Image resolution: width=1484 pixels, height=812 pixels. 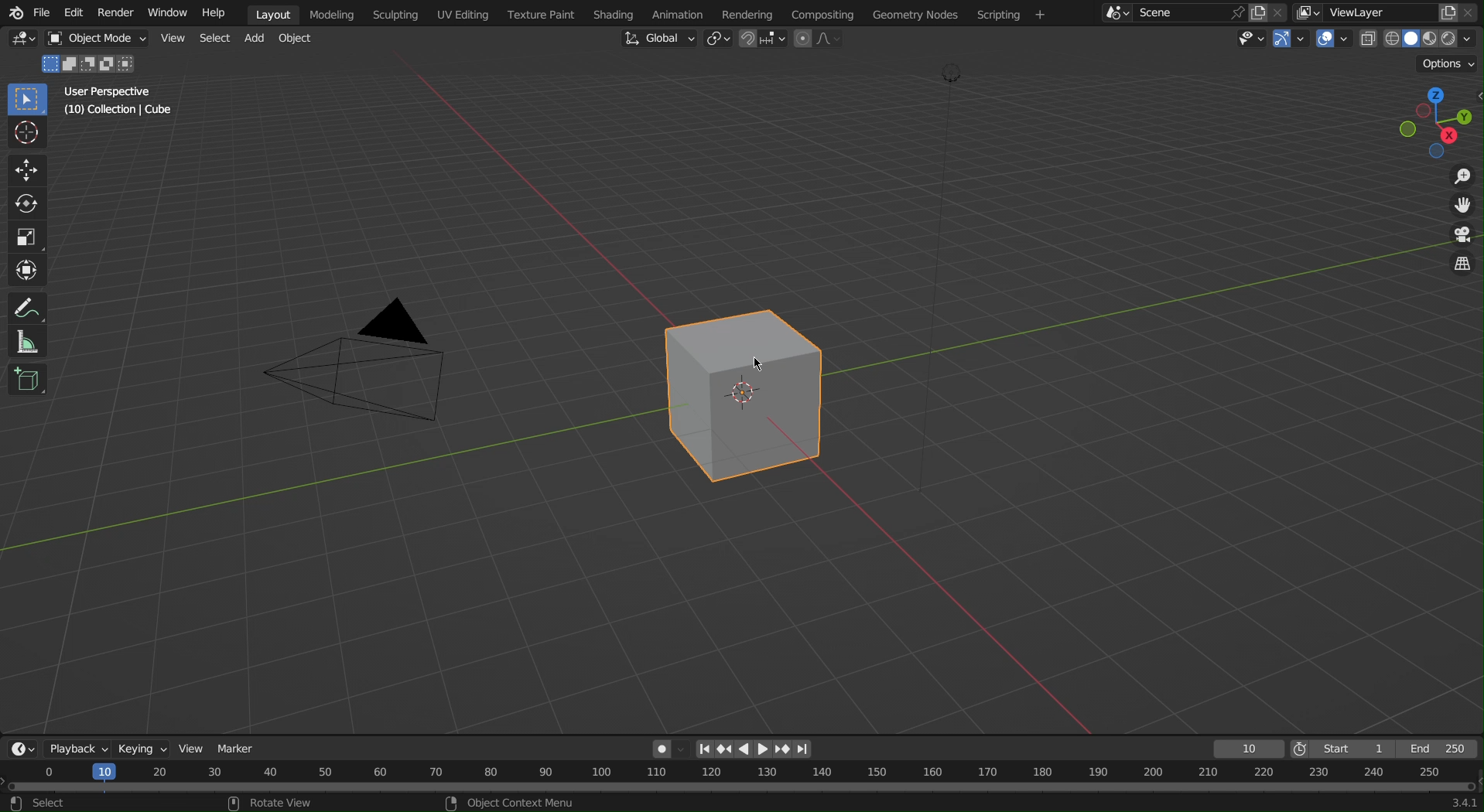 What do you see at coordinates (114, 94) in the screenshot?
I see `User Perspective` at bounding box center [114, 94].